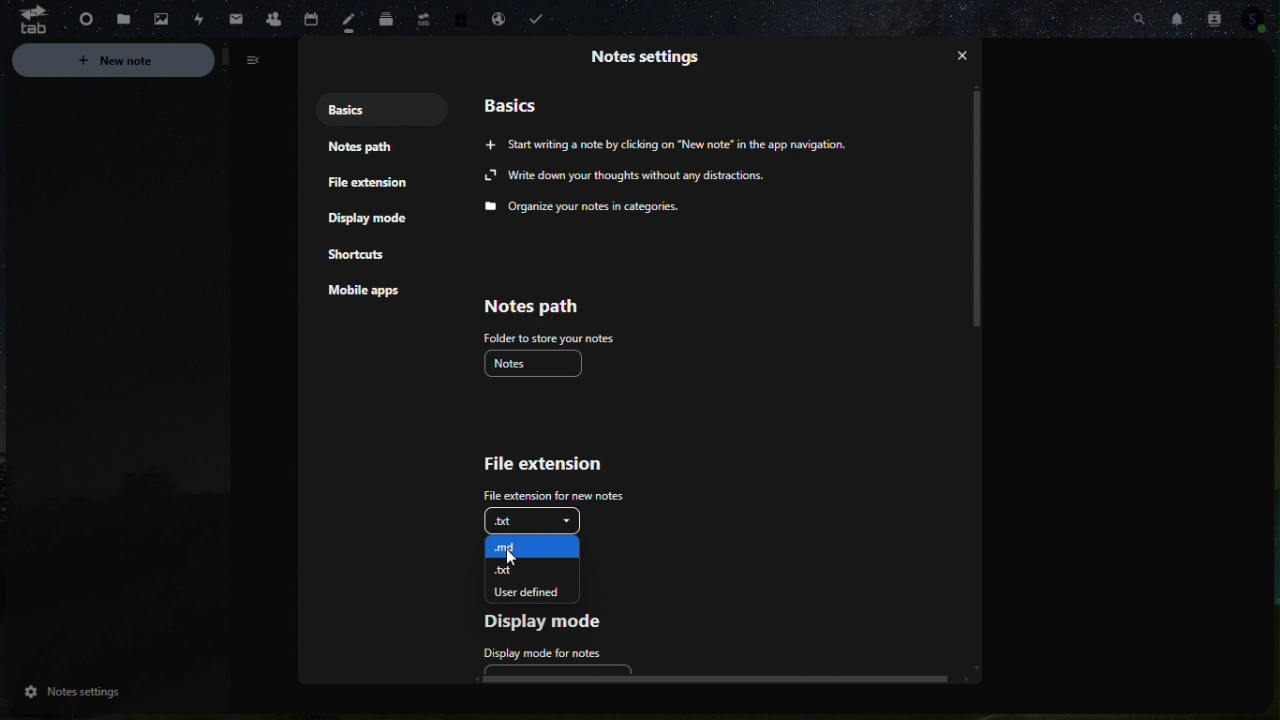  What do you see at coordinates (975, 210) in the screenshot?
I see `vertical scroll bar` at bounding box center [975, 210].